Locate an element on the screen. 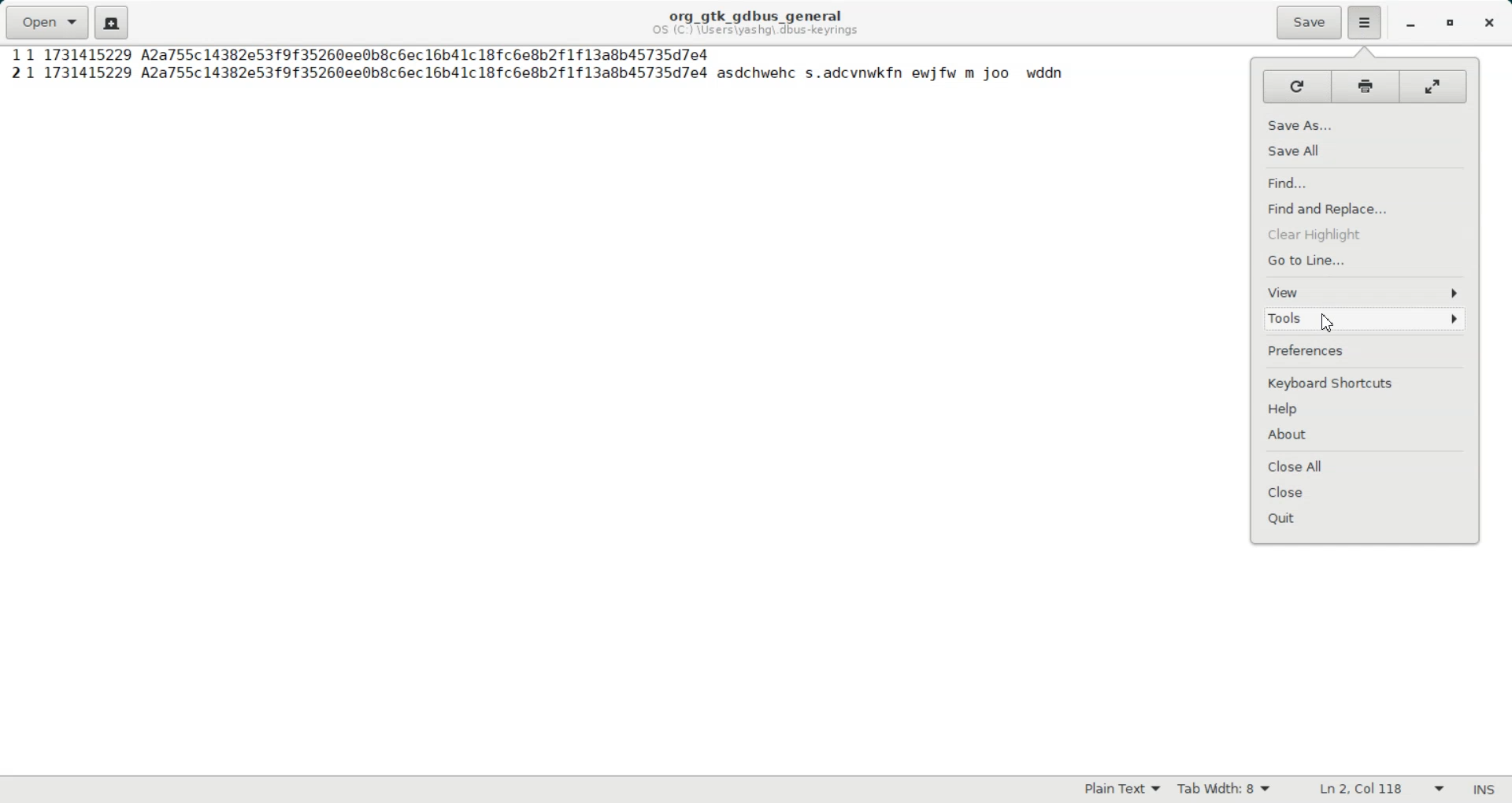 The width and height of the screenshot is (1512, 803). Minimize is located at coordinates (1411, 24).